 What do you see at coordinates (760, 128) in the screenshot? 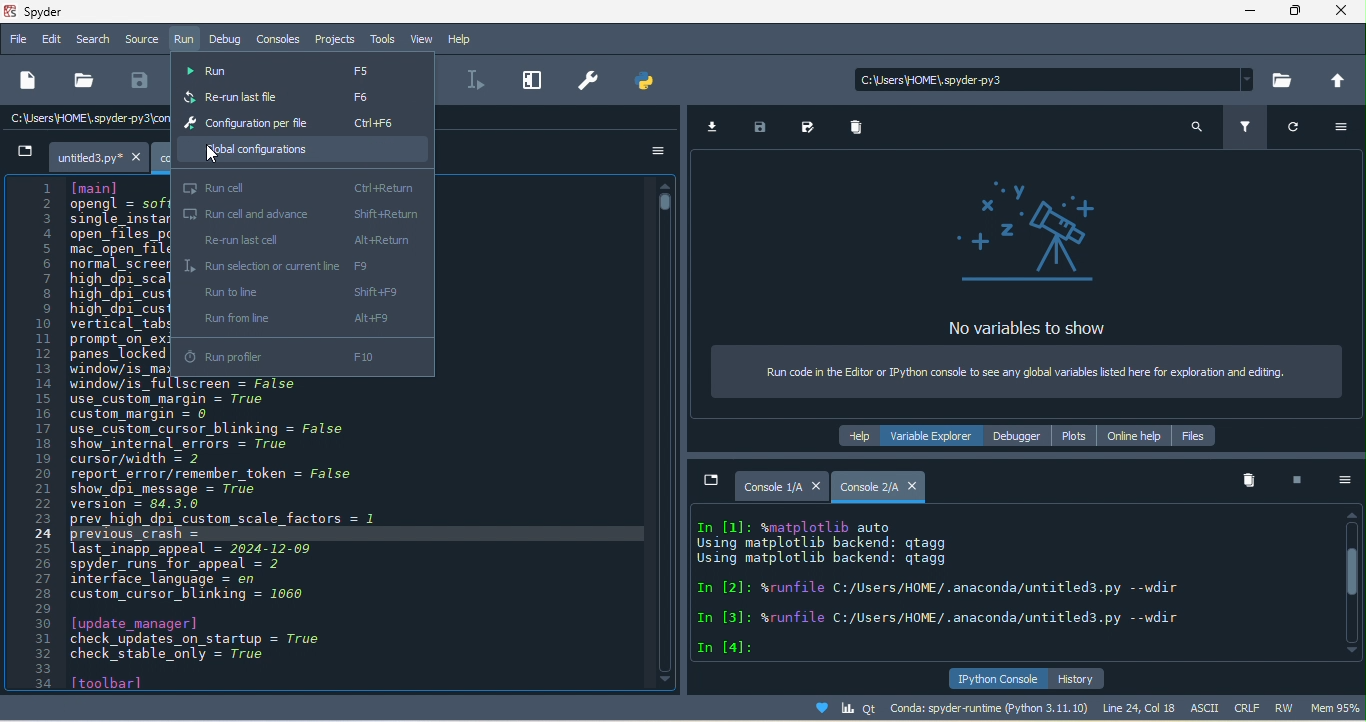
I see `save` at bounding box center [760, 128].